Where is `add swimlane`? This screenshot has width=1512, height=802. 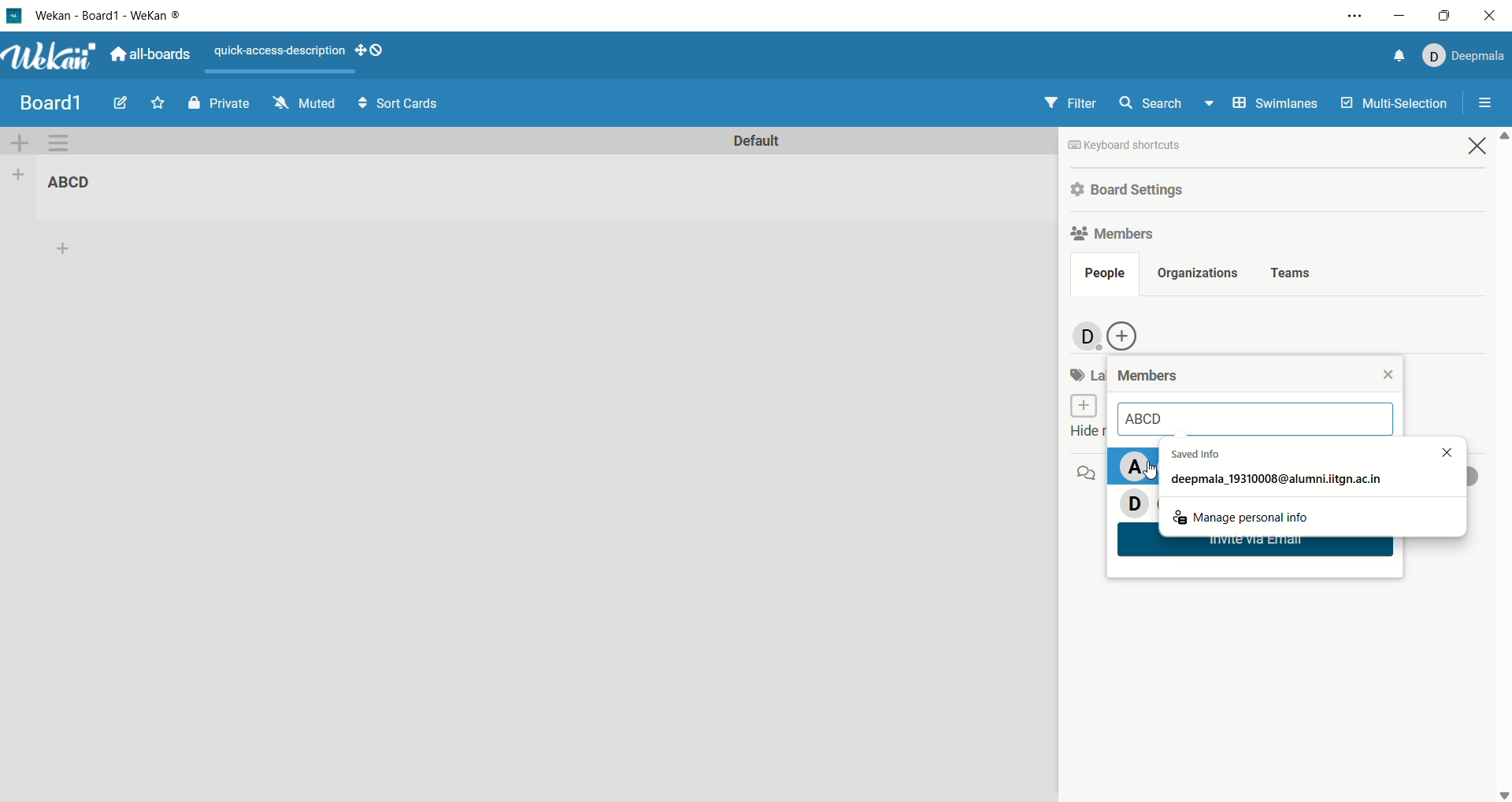 add swimlane is located at coordinates (20, 144).